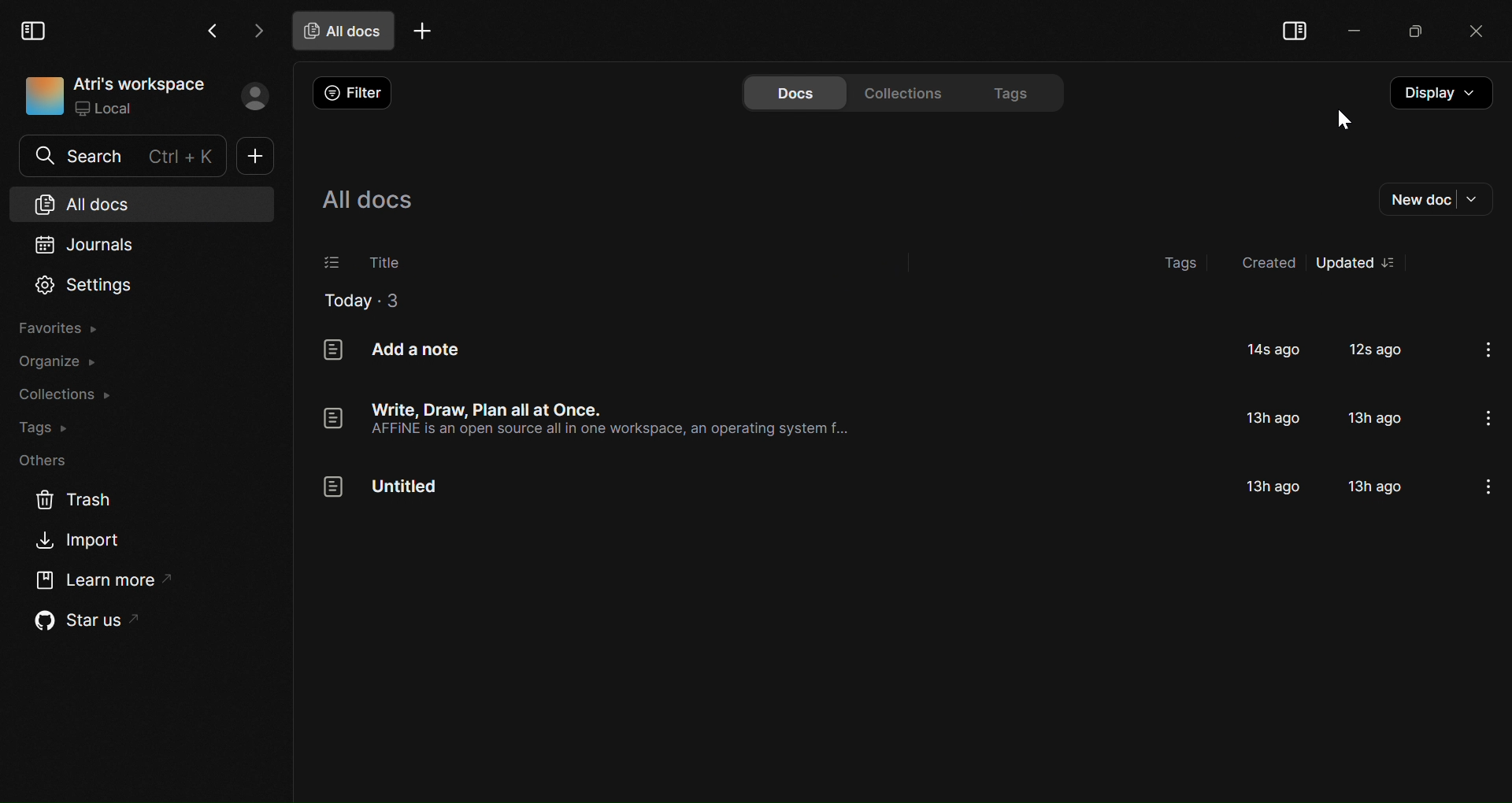  I want to click on Organize, so click(65, 362).